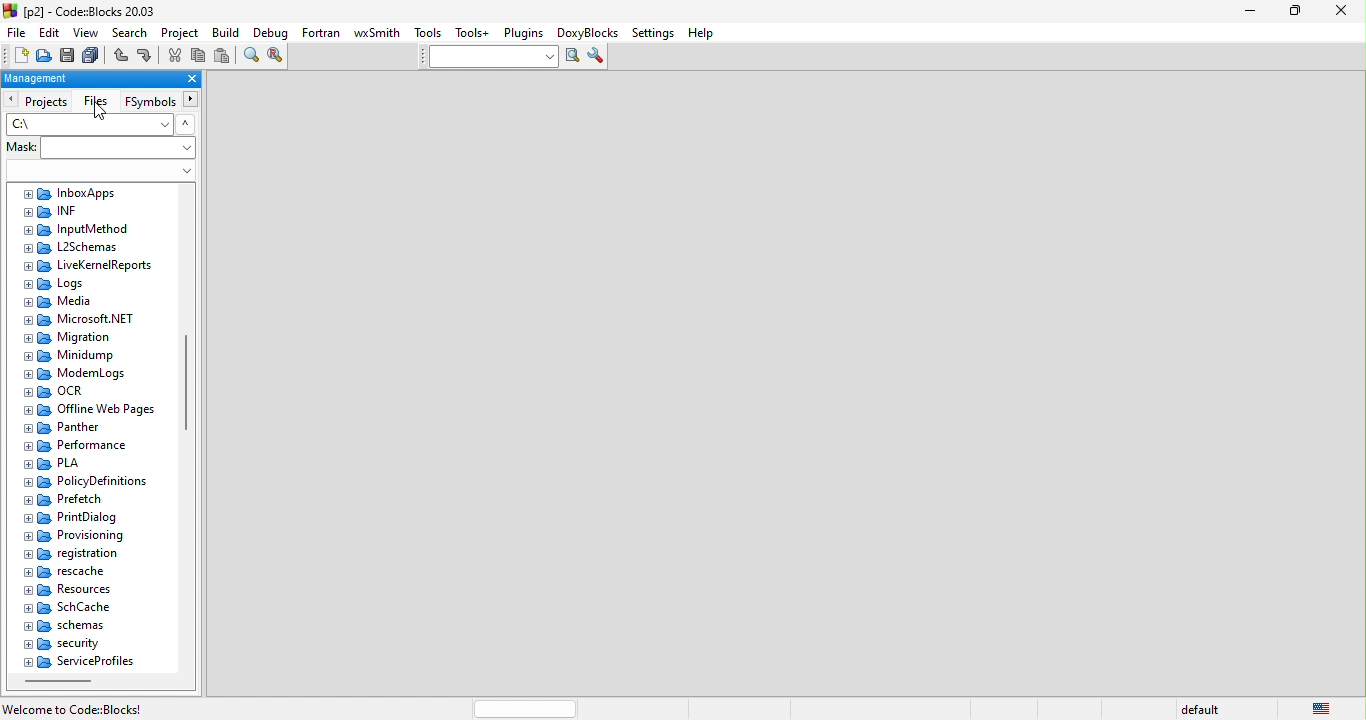 The image size is (1366, 720). What do you see at coordinates (62, 463) in the screenshot?
I see `pla` at bounding box center [62, 463].